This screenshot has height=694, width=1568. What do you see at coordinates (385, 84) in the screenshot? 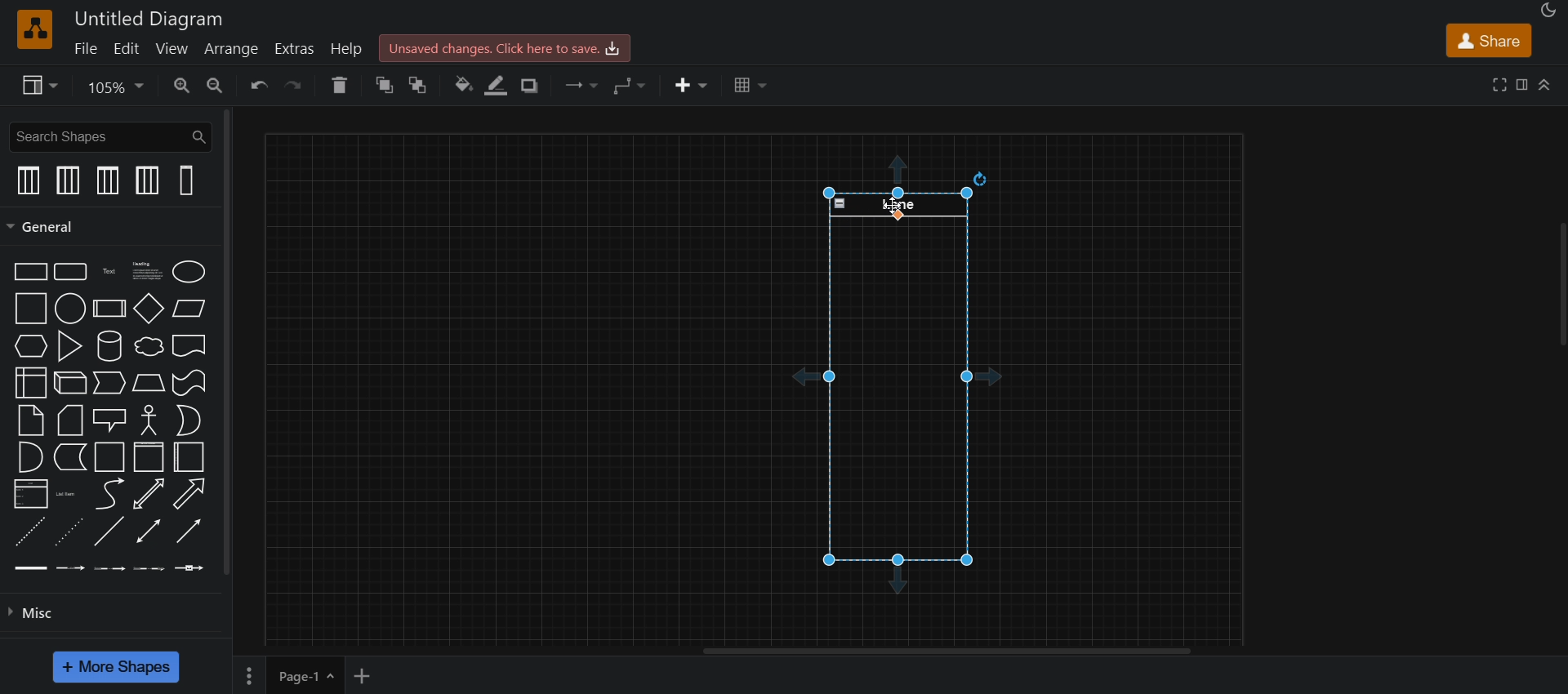
I see `to front` at bounding box center [385, 84].